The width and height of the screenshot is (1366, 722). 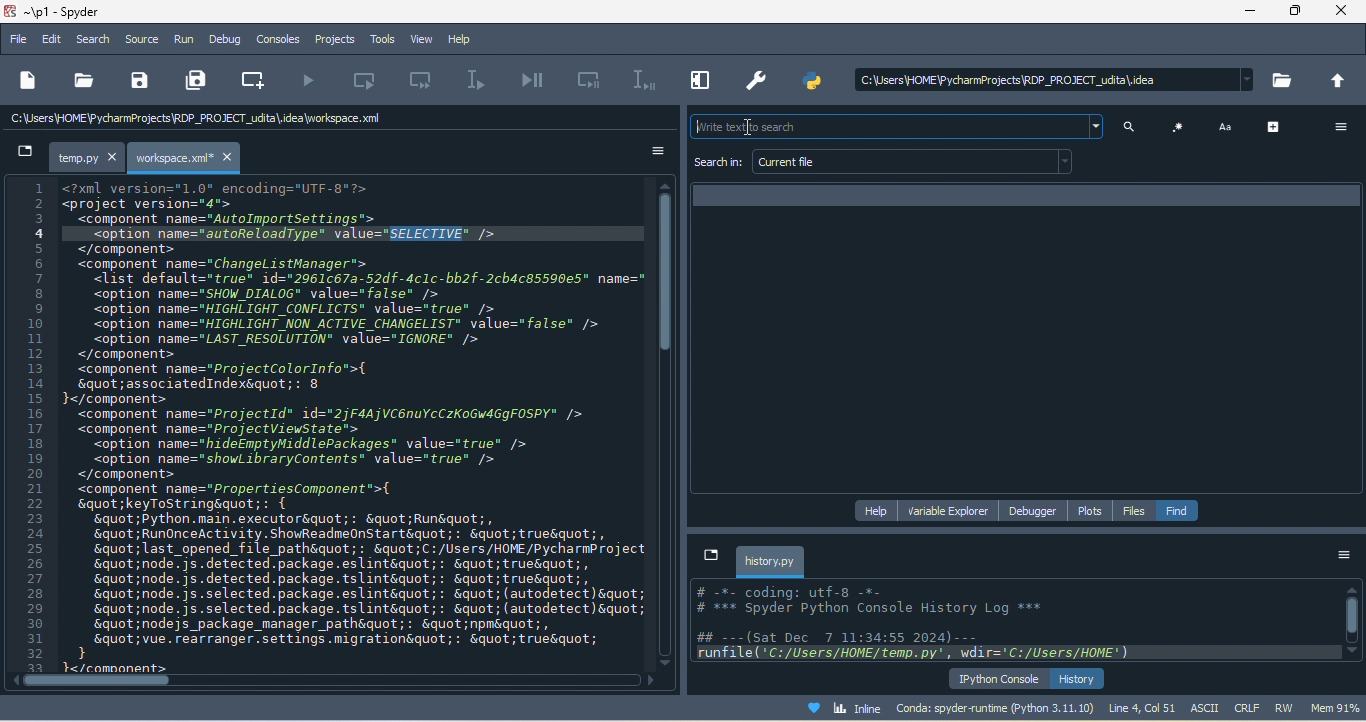 What do you see at coordinates (95, 39) in the screenshot?
I see `search` at bounding box center [95, 39].